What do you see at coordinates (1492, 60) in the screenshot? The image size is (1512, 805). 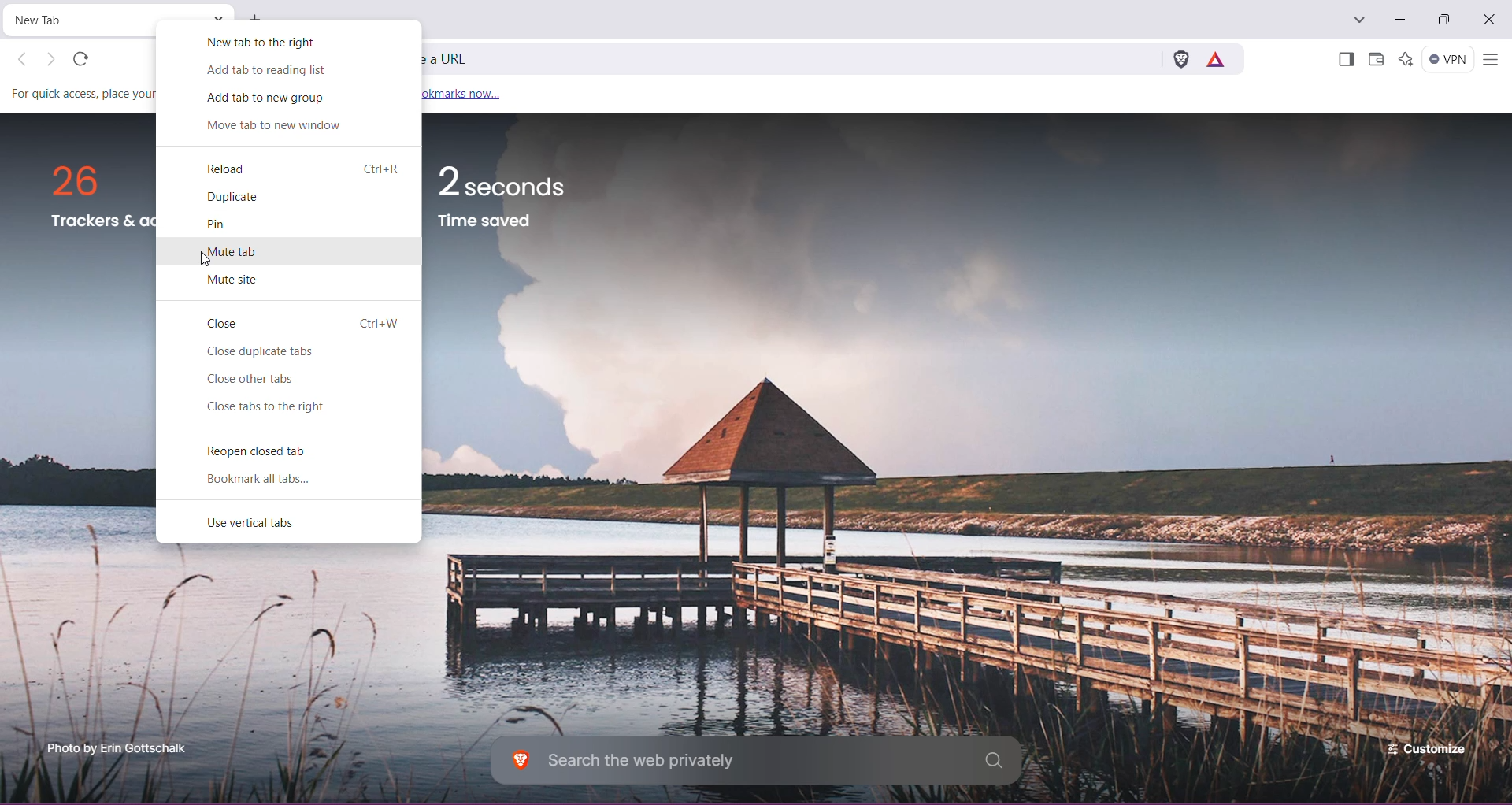 I see `Customize and control Brave` at bounding box center [1492, 60].